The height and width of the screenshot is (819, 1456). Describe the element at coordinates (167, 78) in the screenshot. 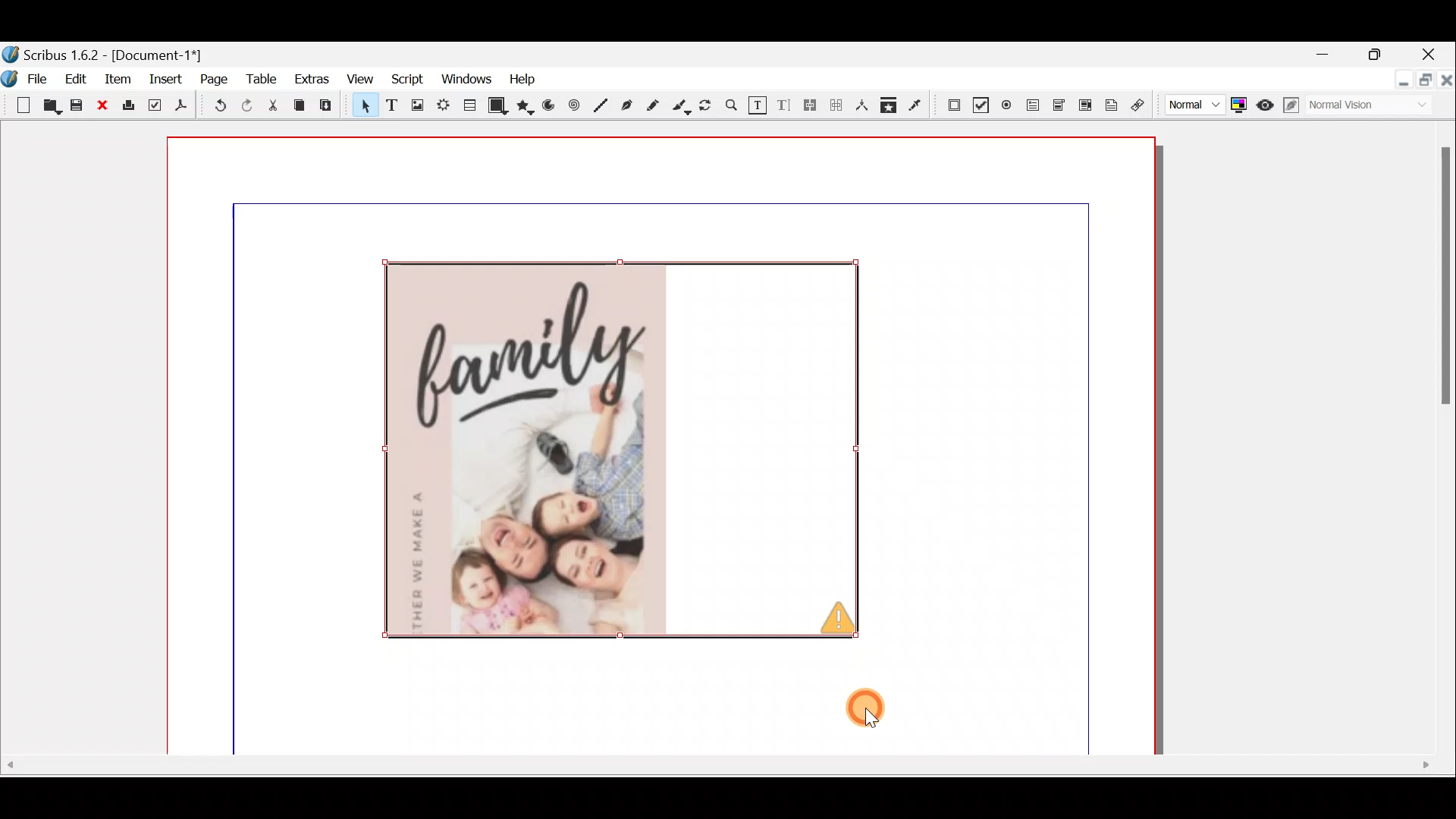

I see `Insert` at that location.